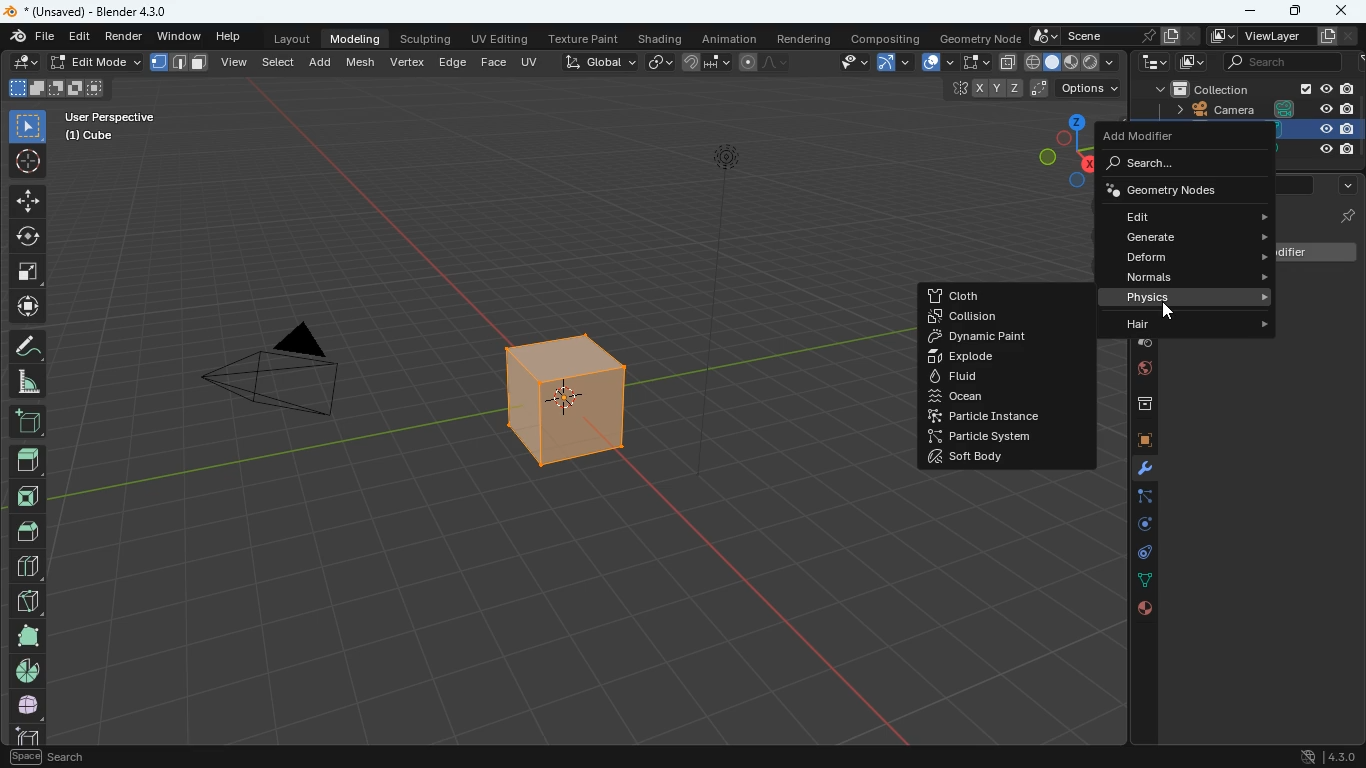 The image size is (1366, 768). What do you see at coordinates (1136, 498) in the screenshot?
I see `edge` at bounding box center [1136, 498].